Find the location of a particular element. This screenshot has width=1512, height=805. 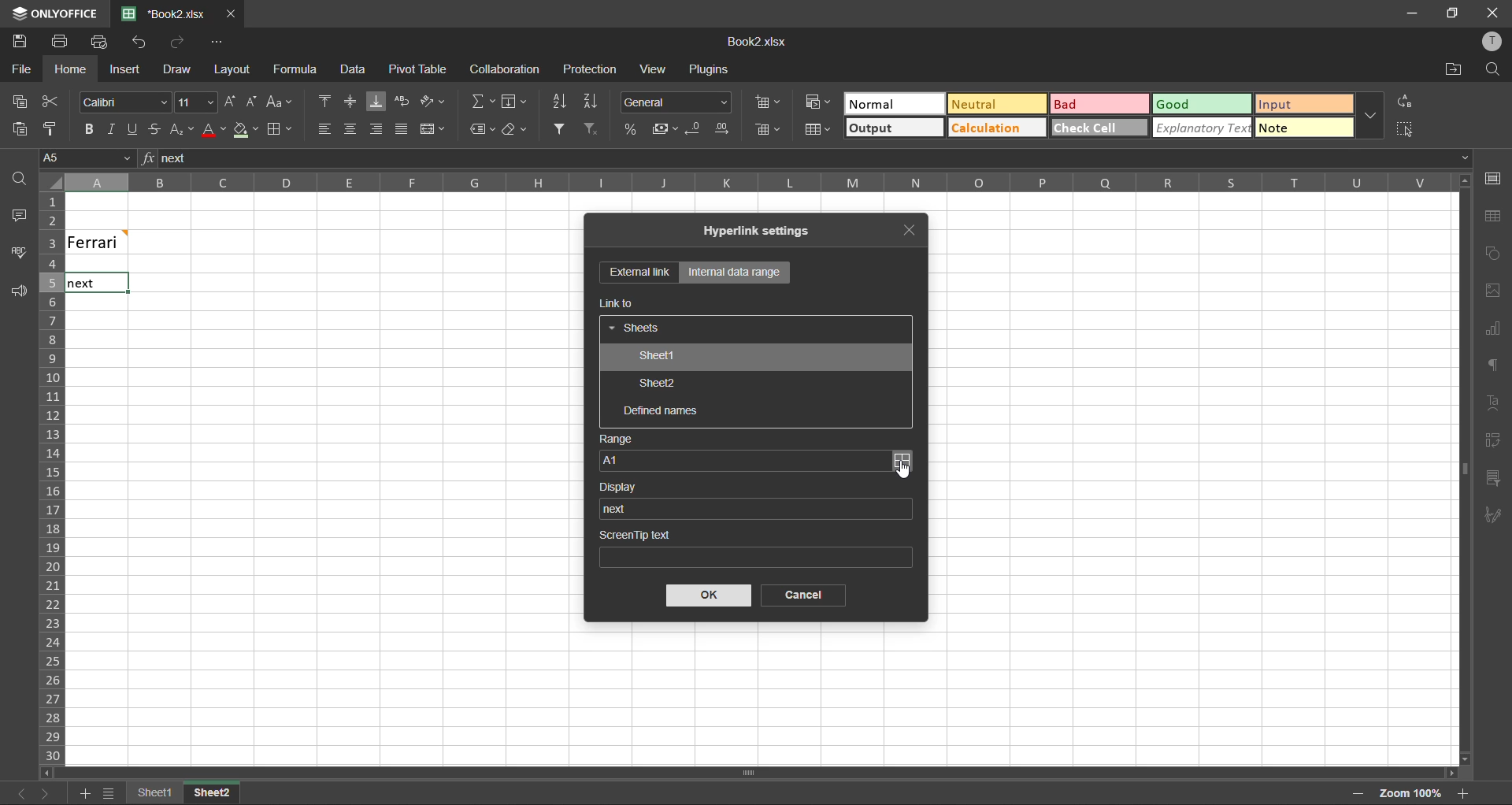

select range is located at coordinates (901, 461).